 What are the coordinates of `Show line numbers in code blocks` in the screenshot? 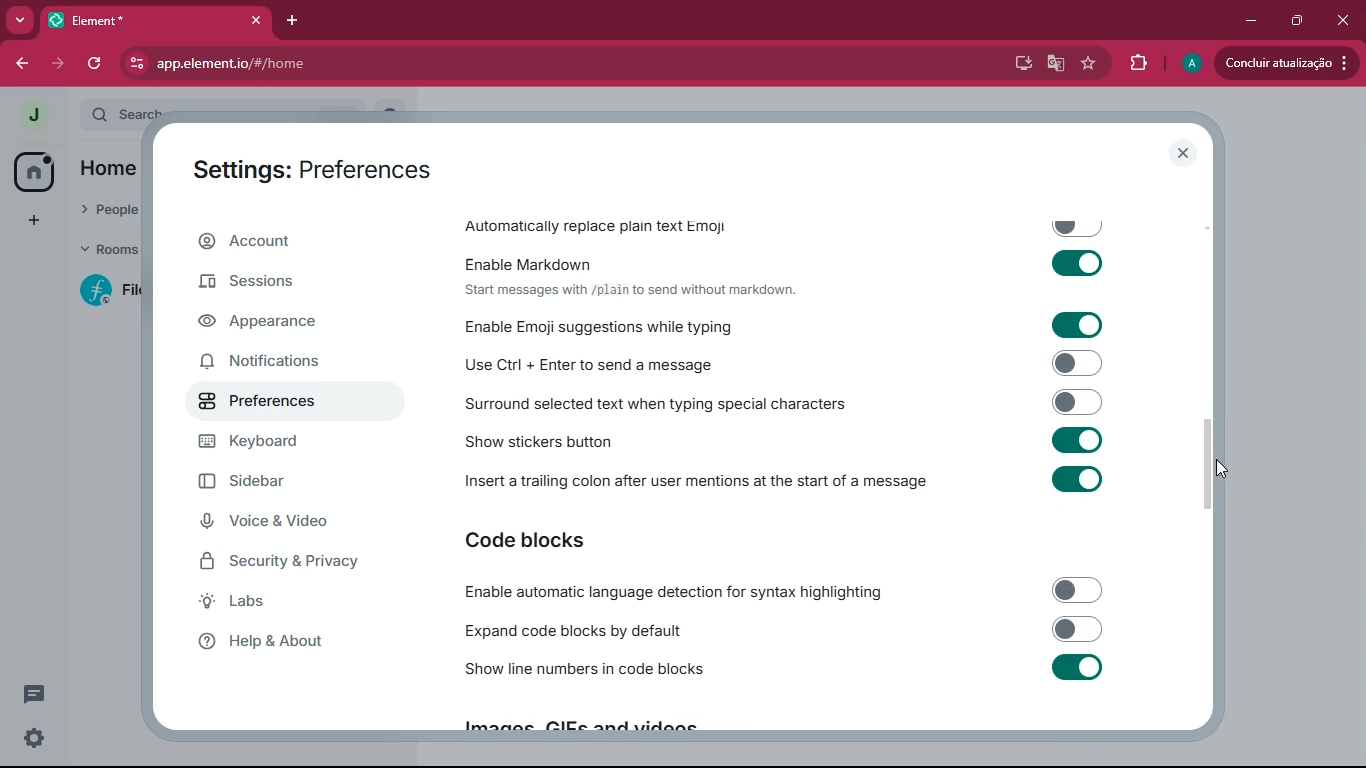 It's located at (785, 672).